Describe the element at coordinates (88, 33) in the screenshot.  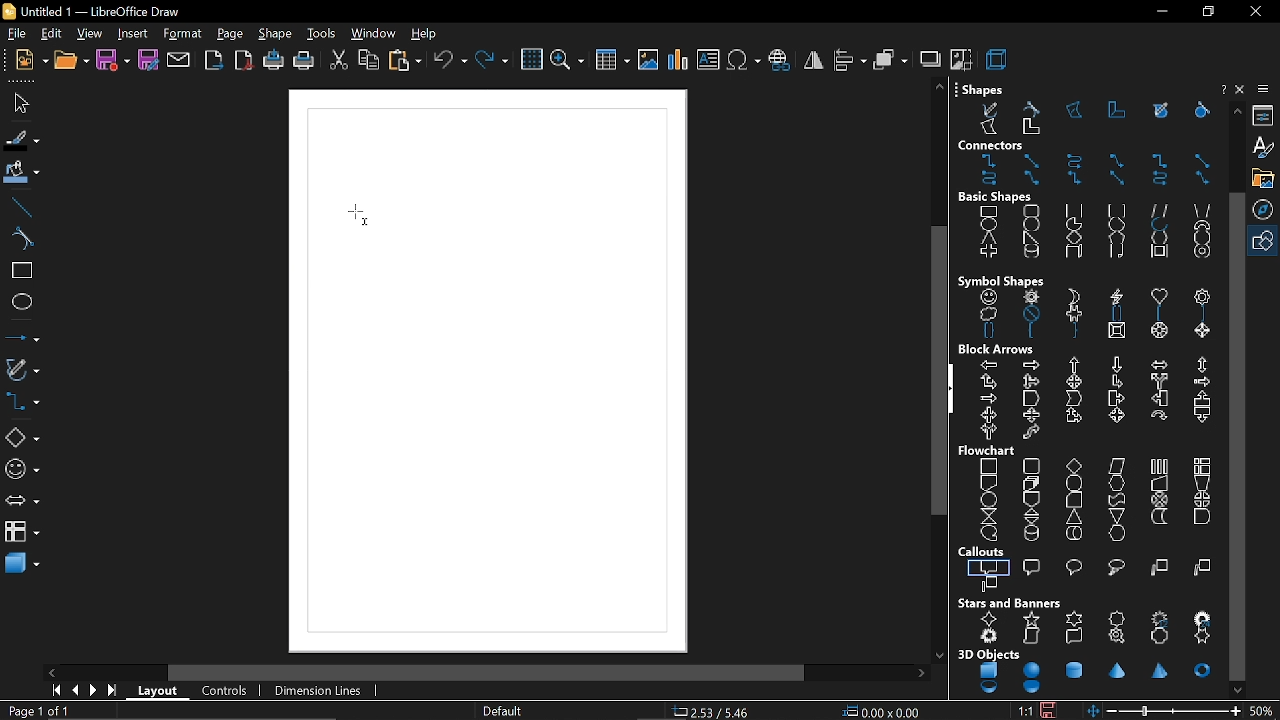
I see `view` at that location.